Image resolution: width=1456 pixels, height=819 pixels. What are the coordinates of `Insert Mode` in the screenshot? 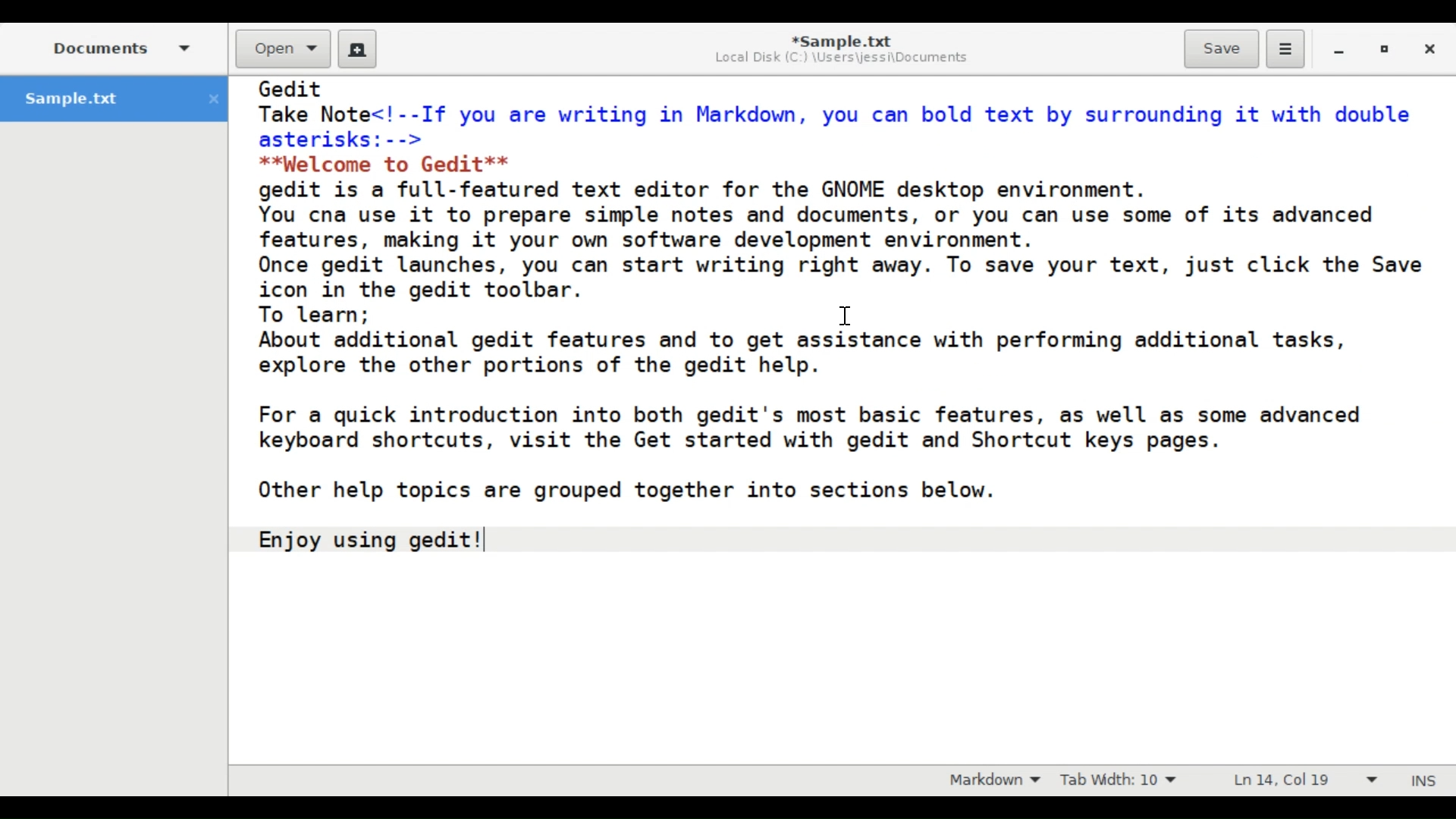 It's located at (1426, 780).